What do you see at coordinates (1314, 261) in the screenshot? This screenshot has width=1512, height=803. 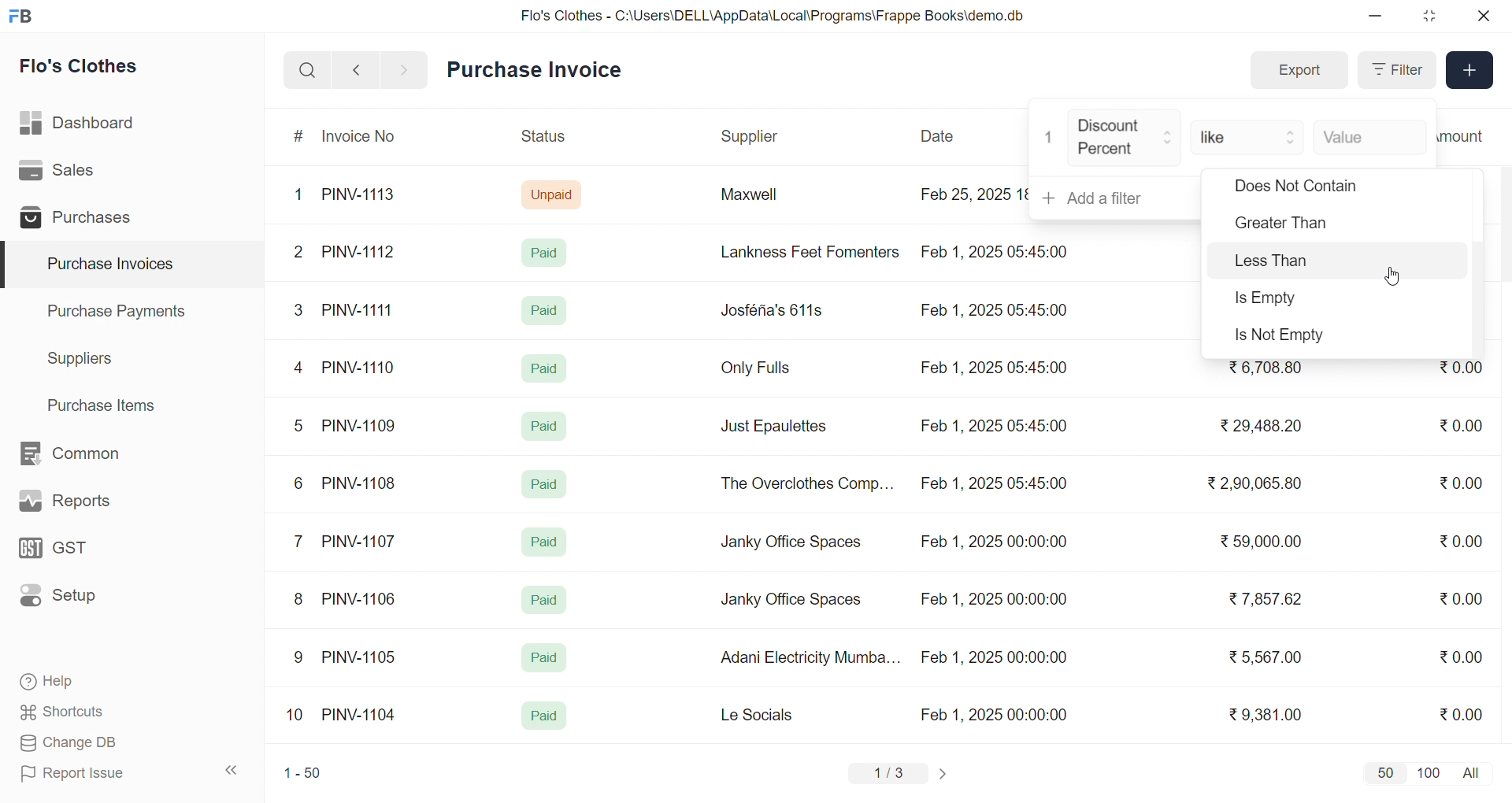 I see `Less Than` at bounding box center [1314, 261].